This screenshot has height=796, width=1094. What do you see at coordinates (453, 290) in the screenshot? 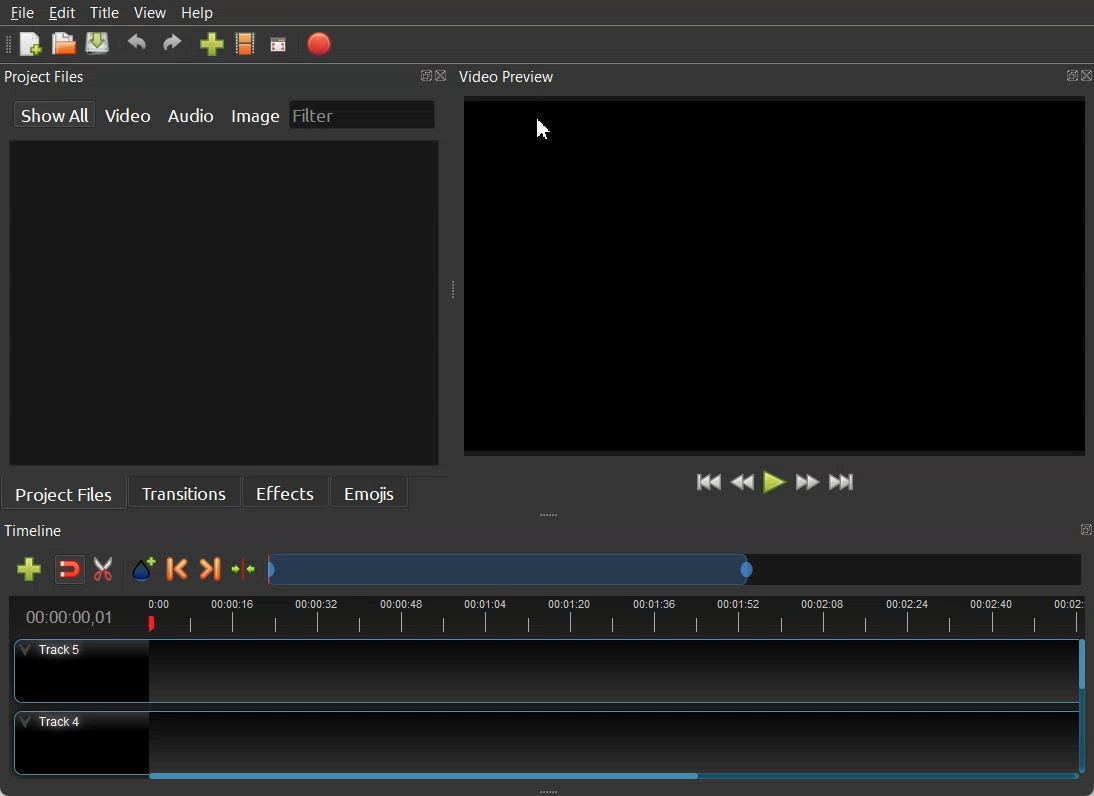
I see `Window Adjuster ` at bounding box center [453, 290].